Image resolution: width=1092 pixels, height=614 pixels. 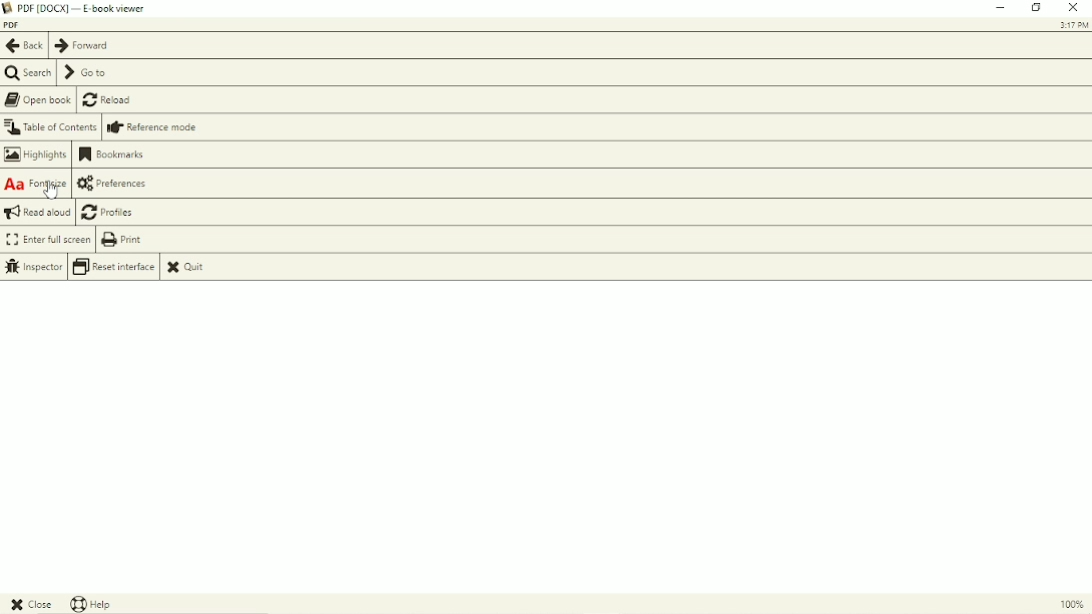 I want to click on Close, so click(x=31, y=604).